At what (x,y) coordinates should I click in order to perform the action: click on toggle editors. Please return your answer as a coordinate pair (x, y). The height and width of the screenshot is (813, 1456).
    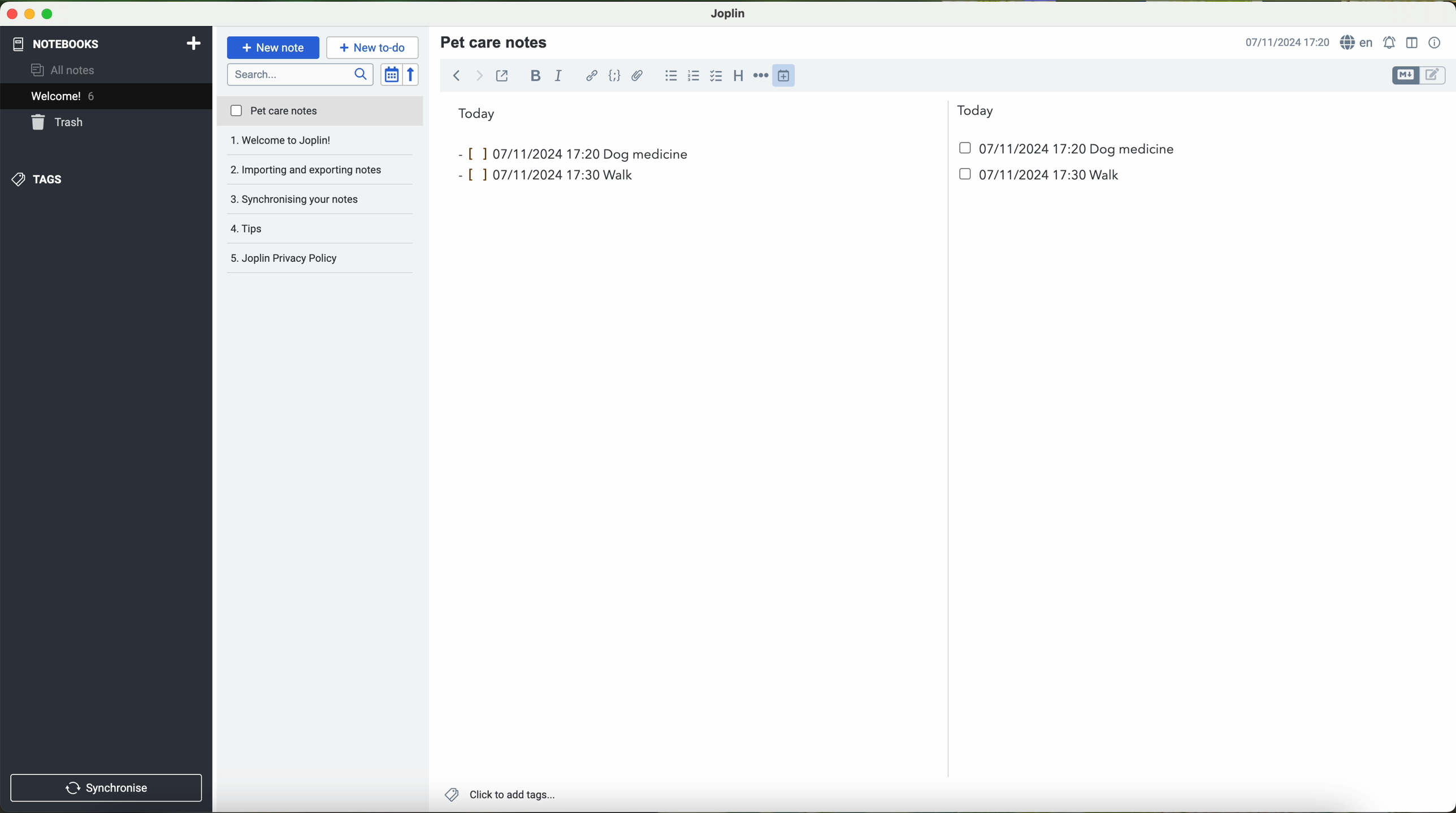
    Looking at the image, I should click on (1418, 76).